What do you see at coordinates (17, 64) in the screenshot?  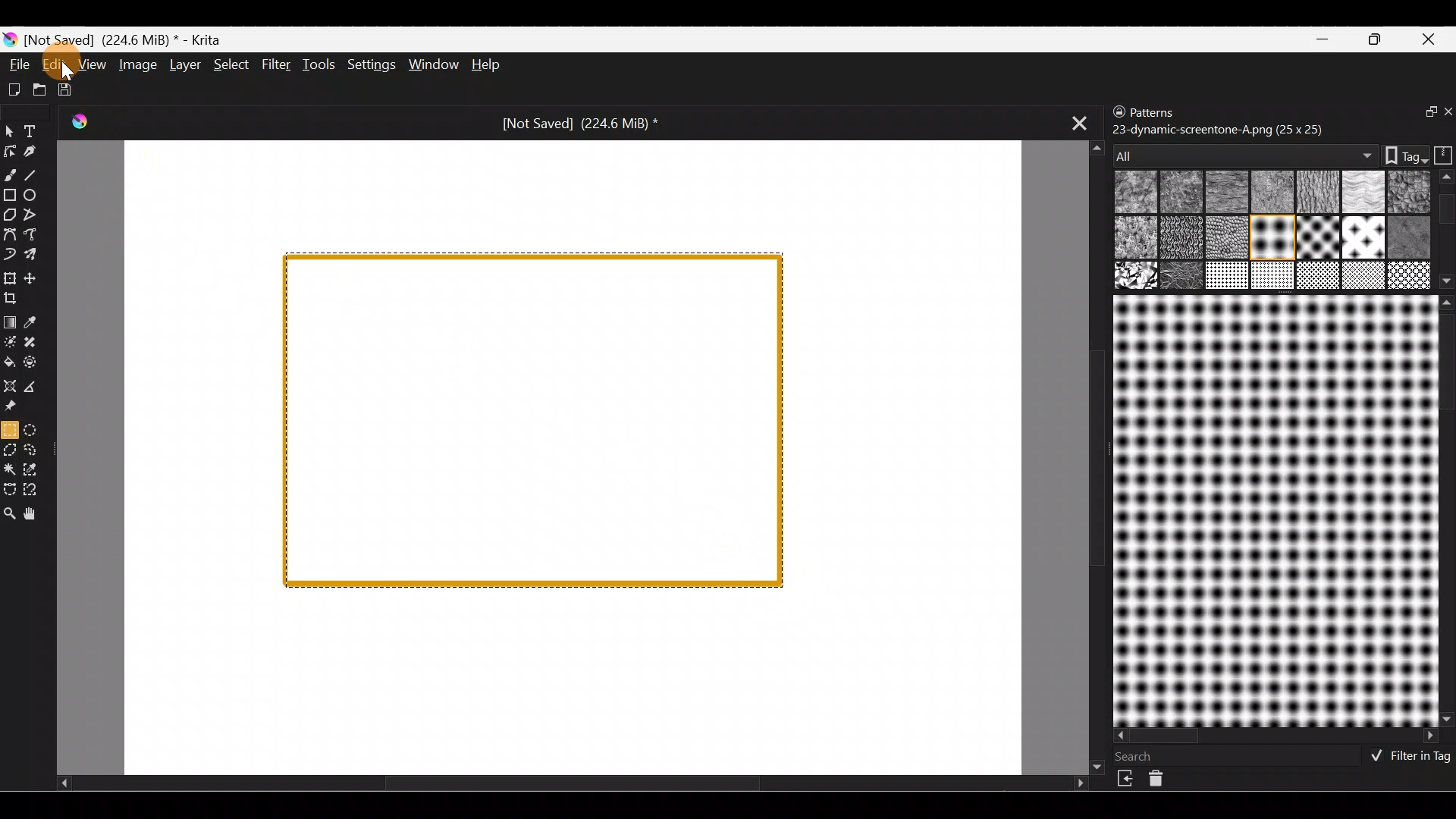 I see `File` at bounding box center [17, 64].